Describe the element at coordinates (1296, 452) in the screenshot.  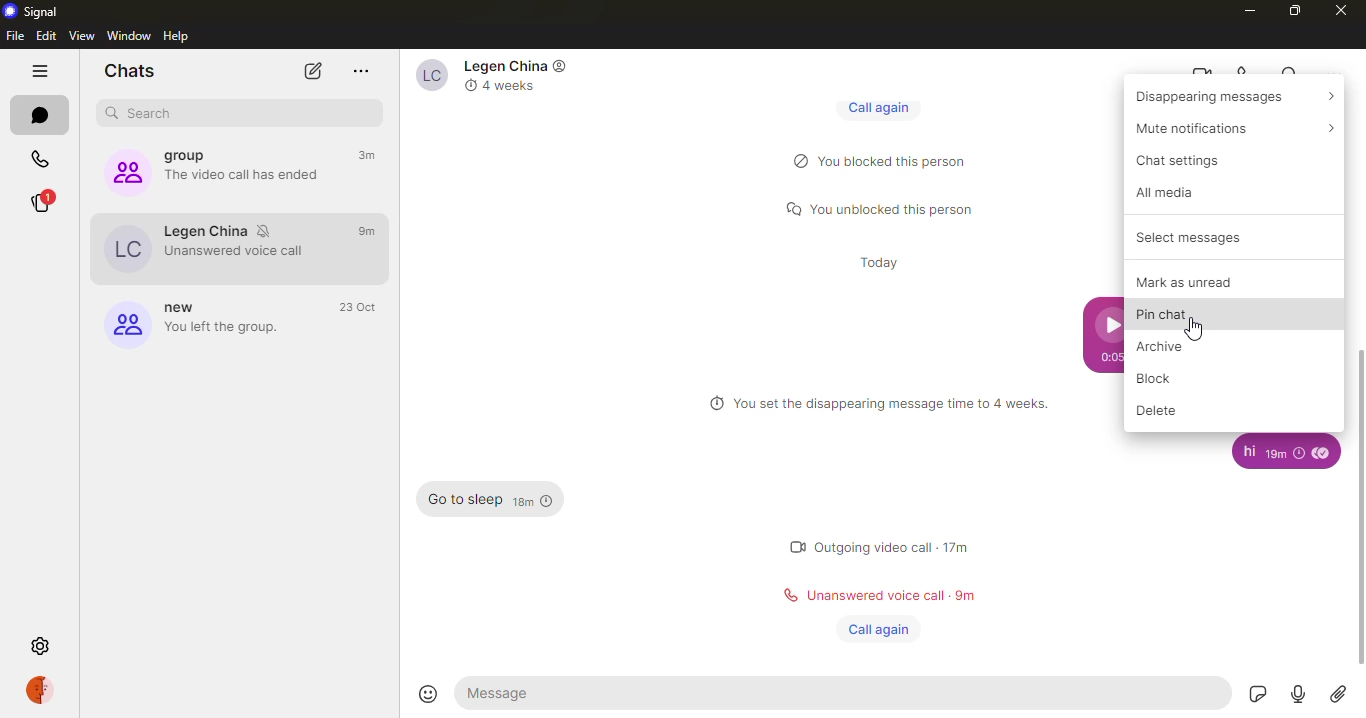
I see `time` at that location.